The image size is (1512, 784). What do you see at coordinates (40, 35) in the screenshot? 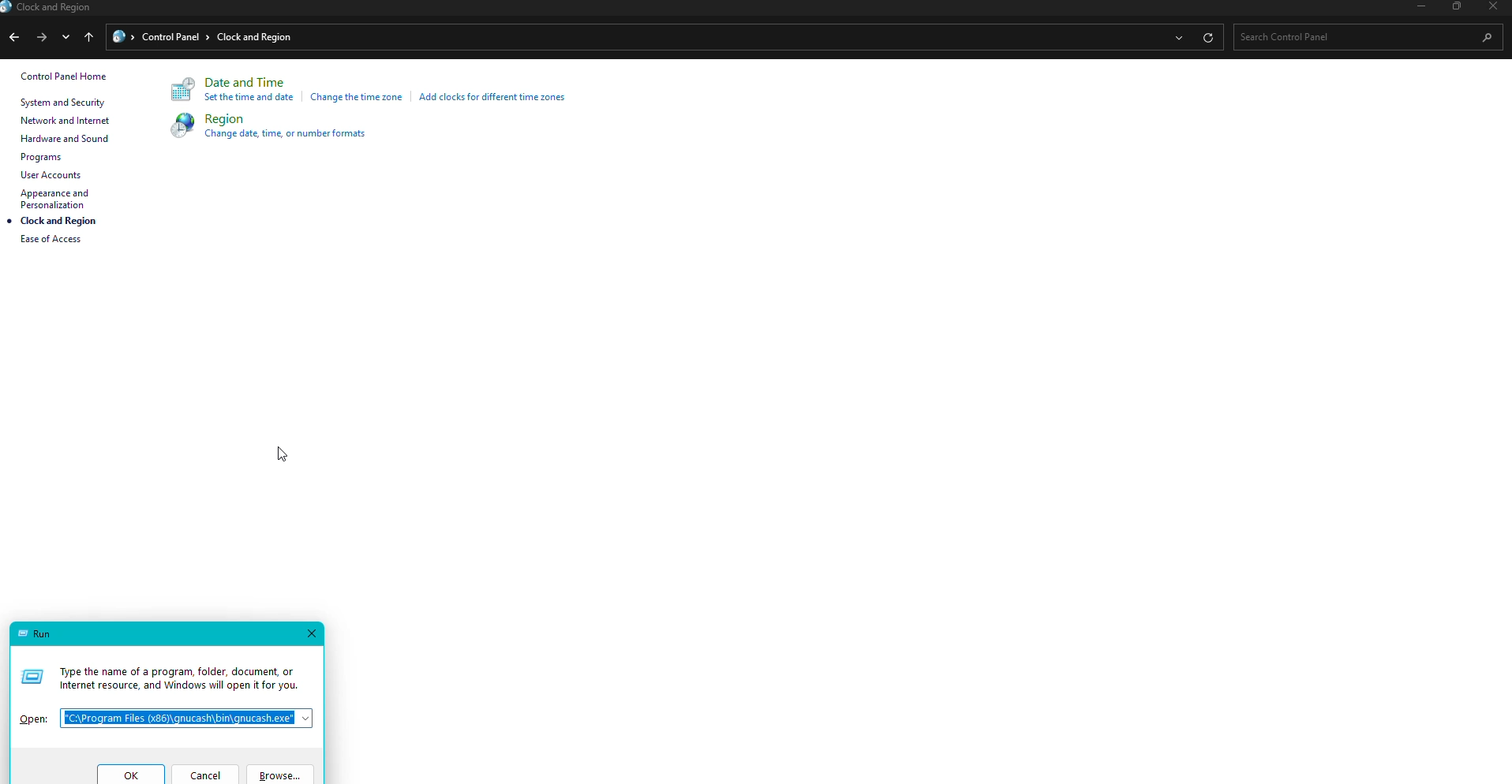
I see `next` at bounding box center [40, 35].